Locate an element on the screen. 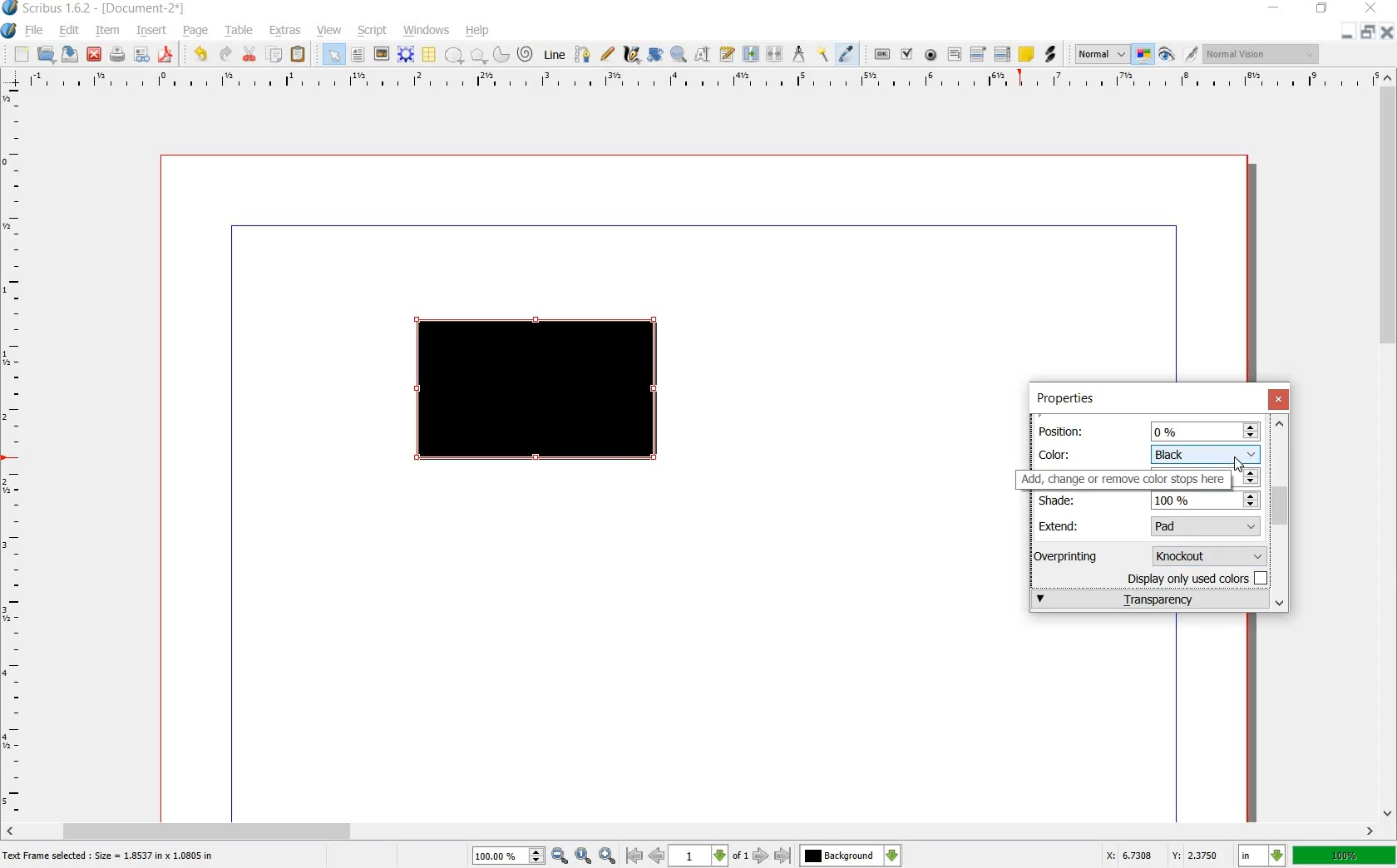 This screenshot has height=868, width=1397. minimize is located at coordinates (1348, 33).